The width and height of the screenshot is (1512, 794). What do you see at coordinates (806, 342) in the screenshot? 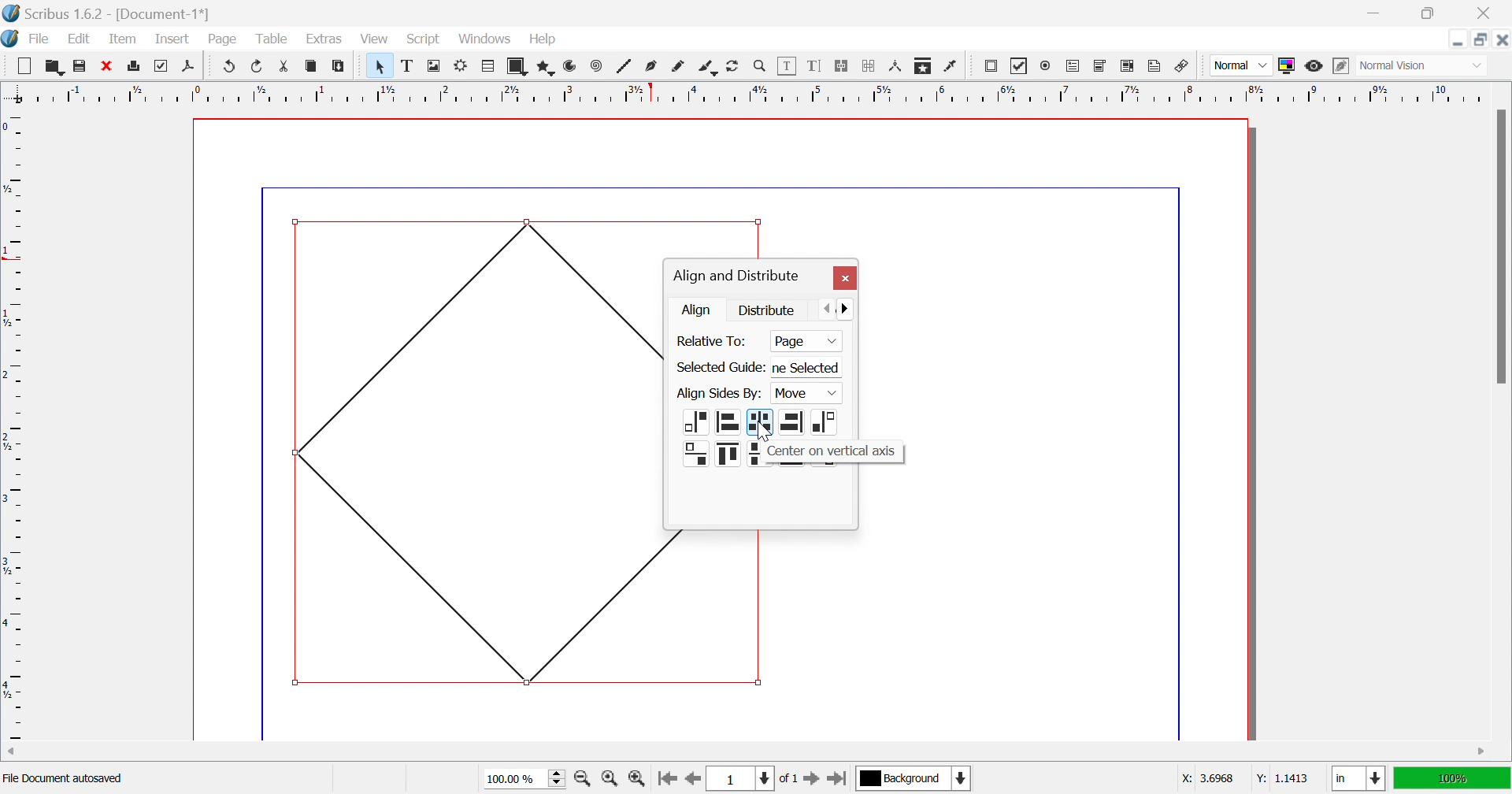
I see `Page` at bounding box center [806, 342].